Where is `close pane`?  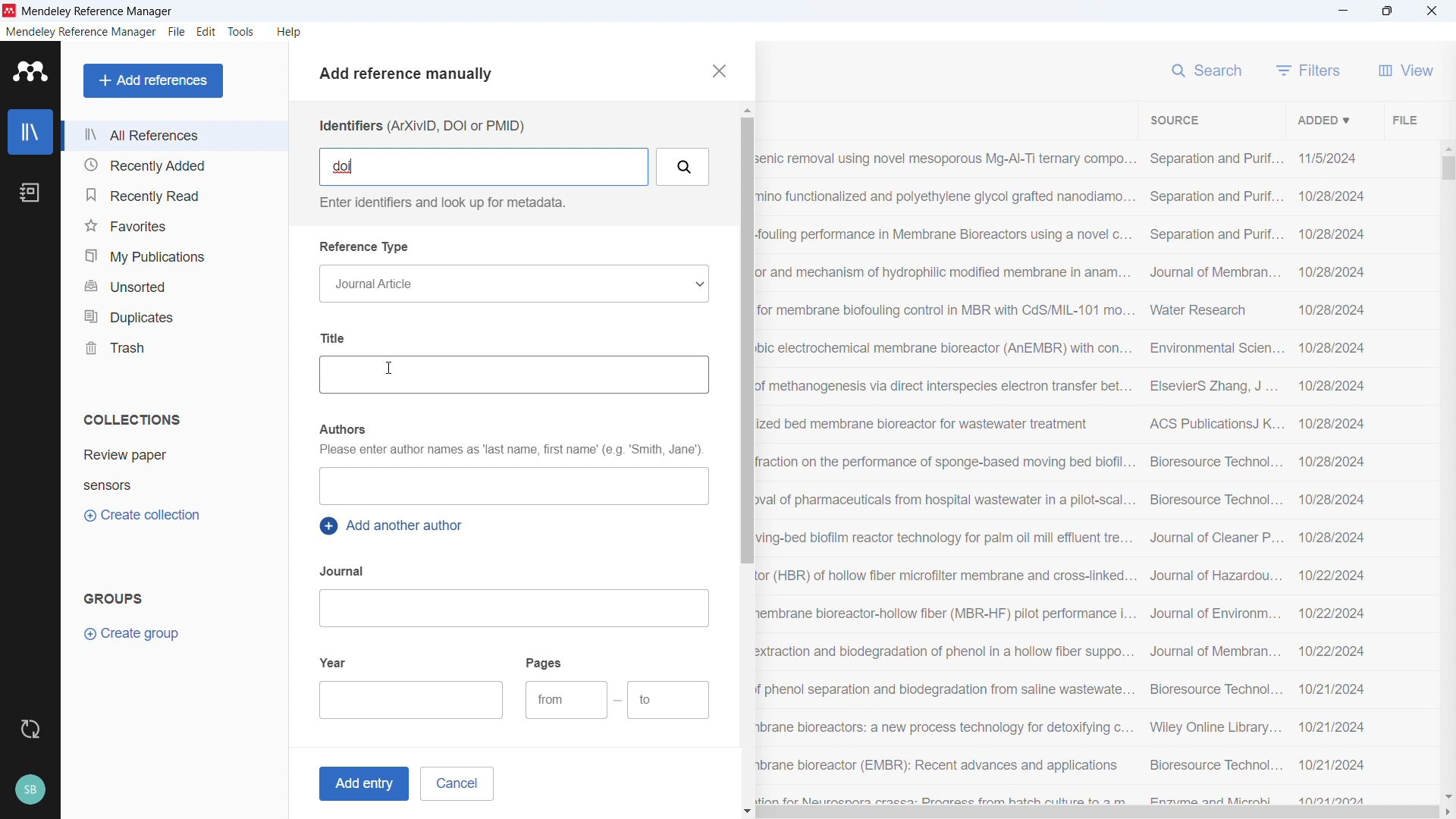
close pane is located at coordinates (717, 71).